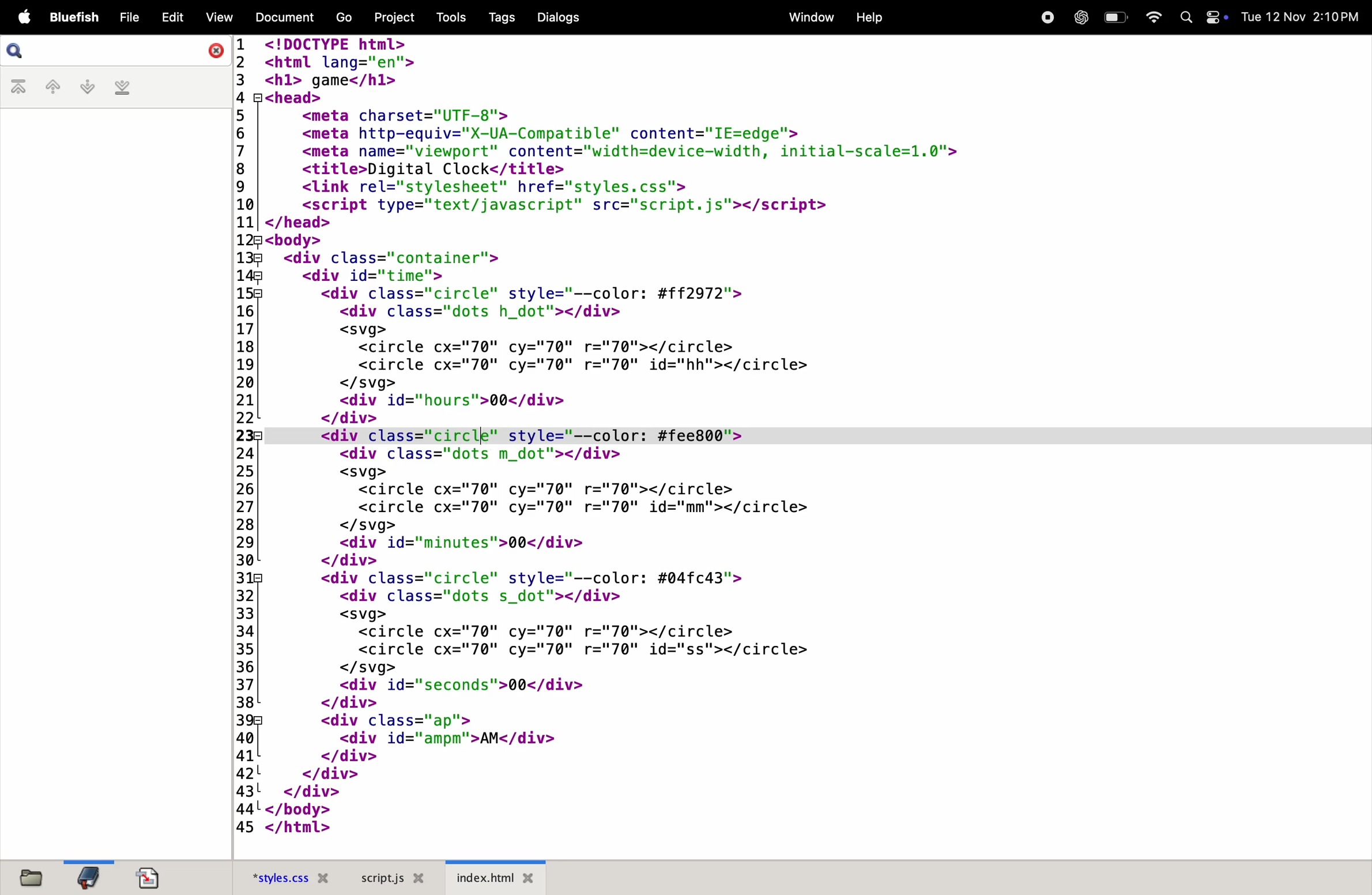 This screenshot has width=1372, height=895. I want to click on date and time, so click(1299, 17).